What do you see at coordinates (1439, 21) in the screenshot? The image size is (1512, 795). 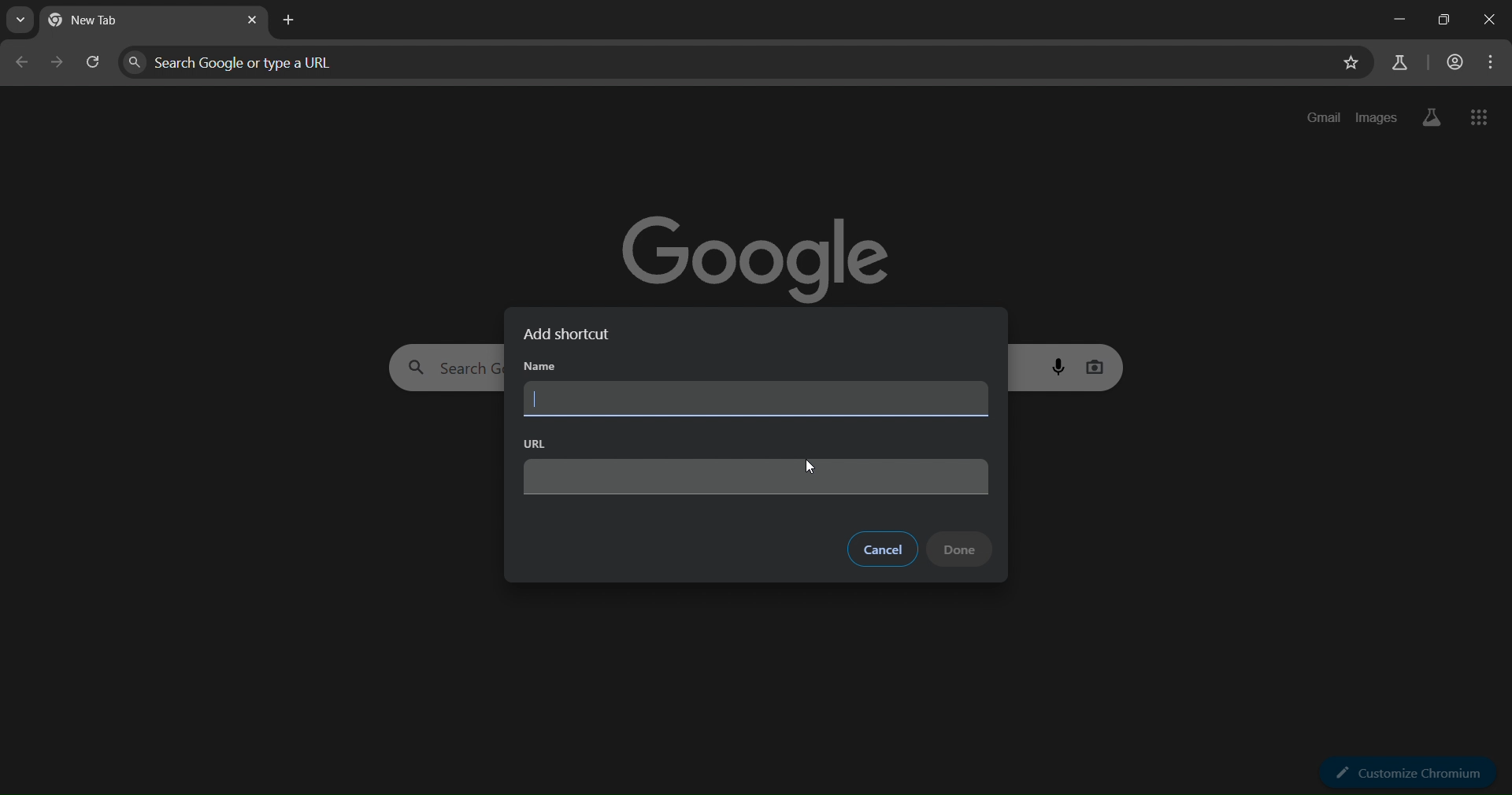 I see `restore down` at bounding box center [1439, 21].